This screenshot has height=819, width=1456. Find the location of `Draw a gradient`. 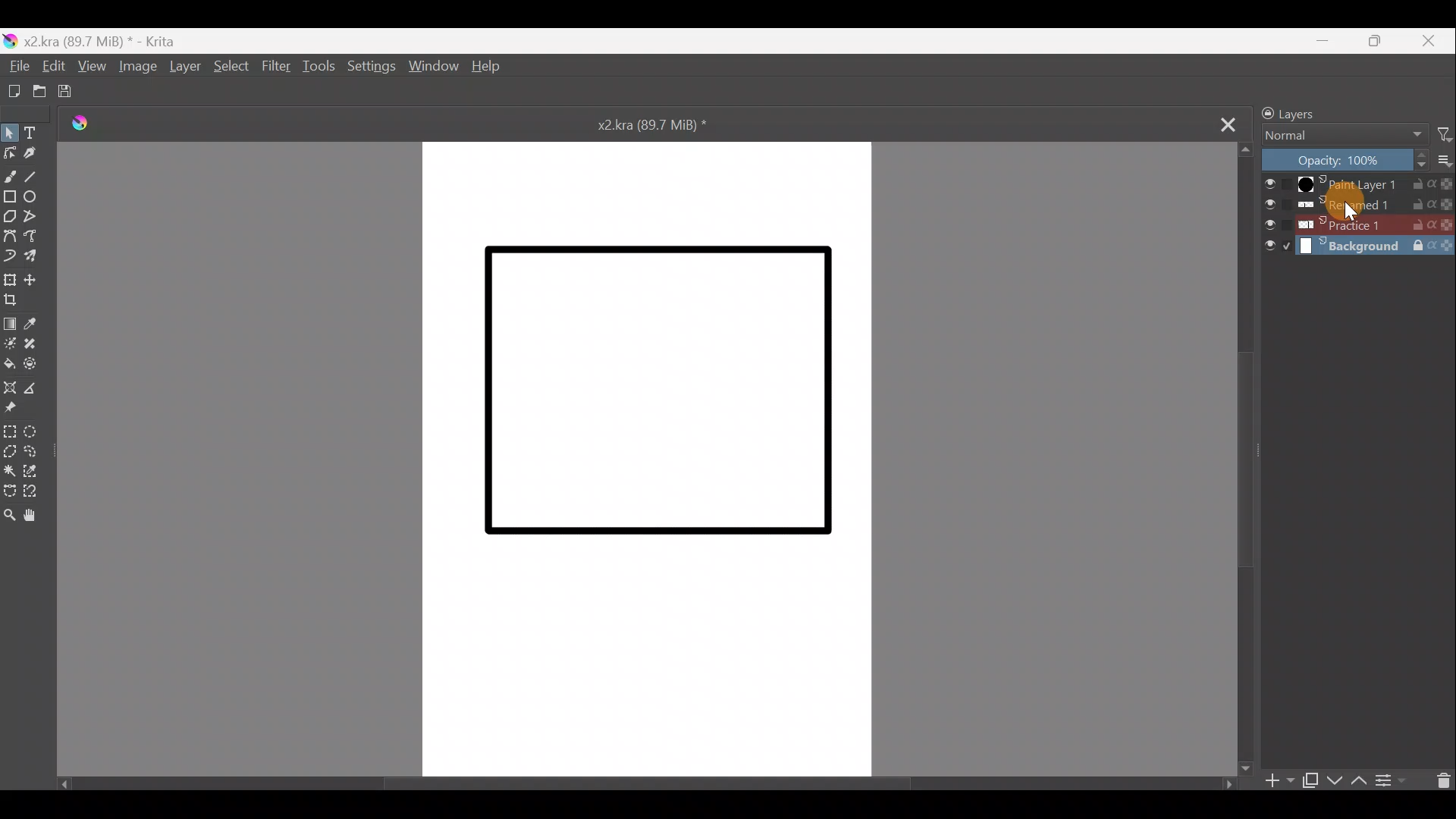

Draw a gradient is located at coordinates (11, 323).